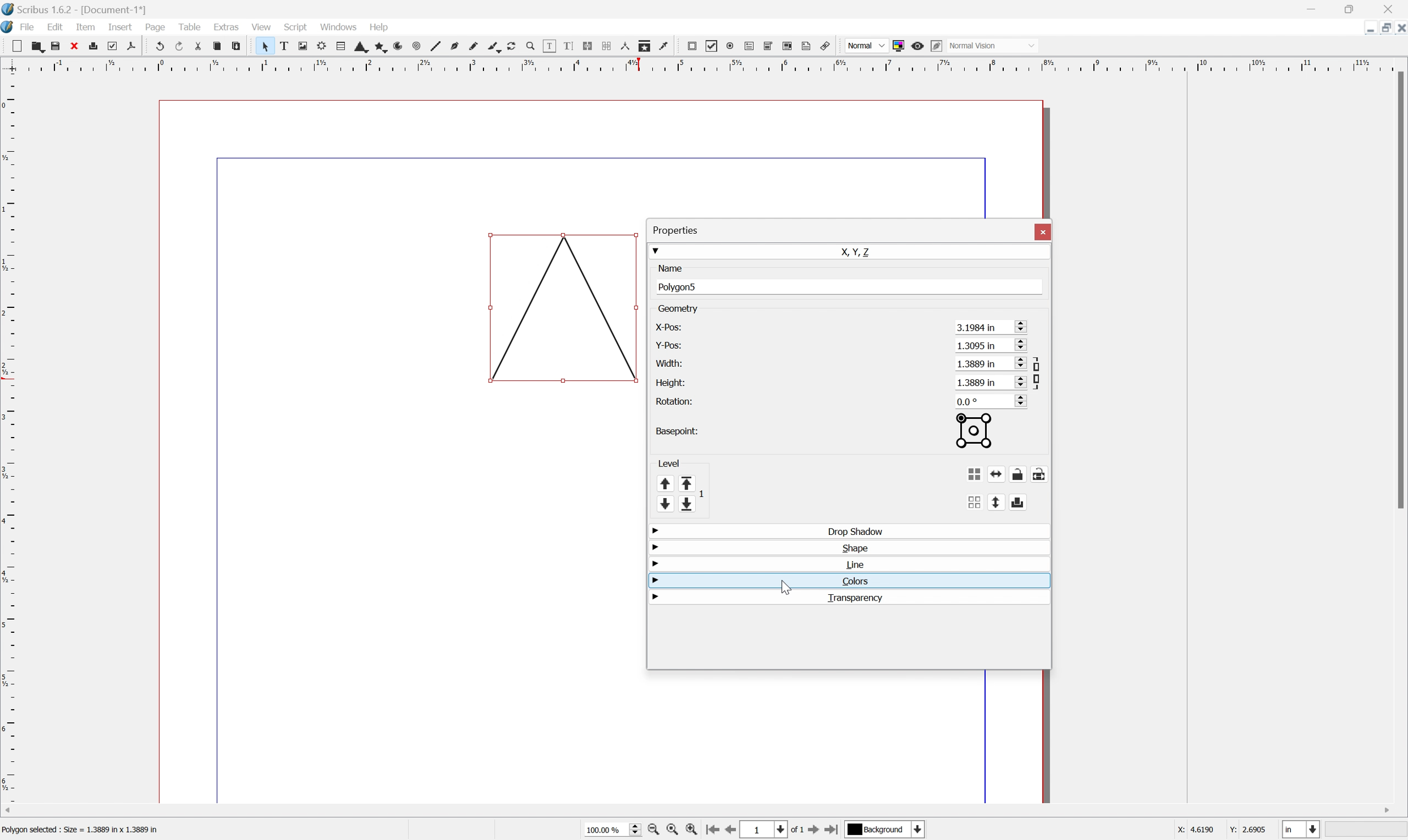 This screenshot has width=1408, height=840. What do you see at coordinates (1381, 28) in the screenshot?
I see `Restore Down` at bounding box center [1381, 28].